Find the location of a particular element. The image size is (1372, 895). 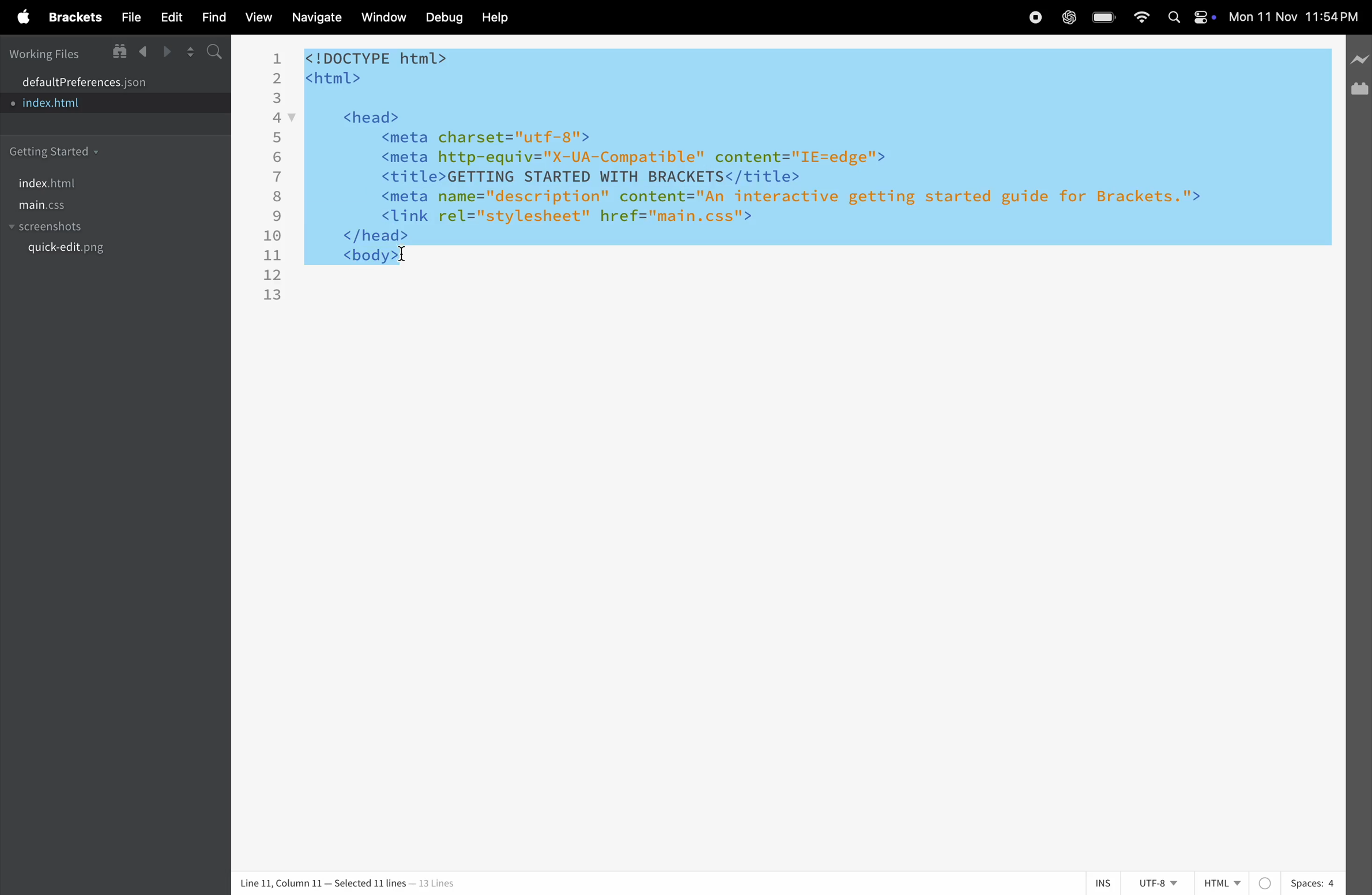

spaces is located at coordinates (1312, 883).